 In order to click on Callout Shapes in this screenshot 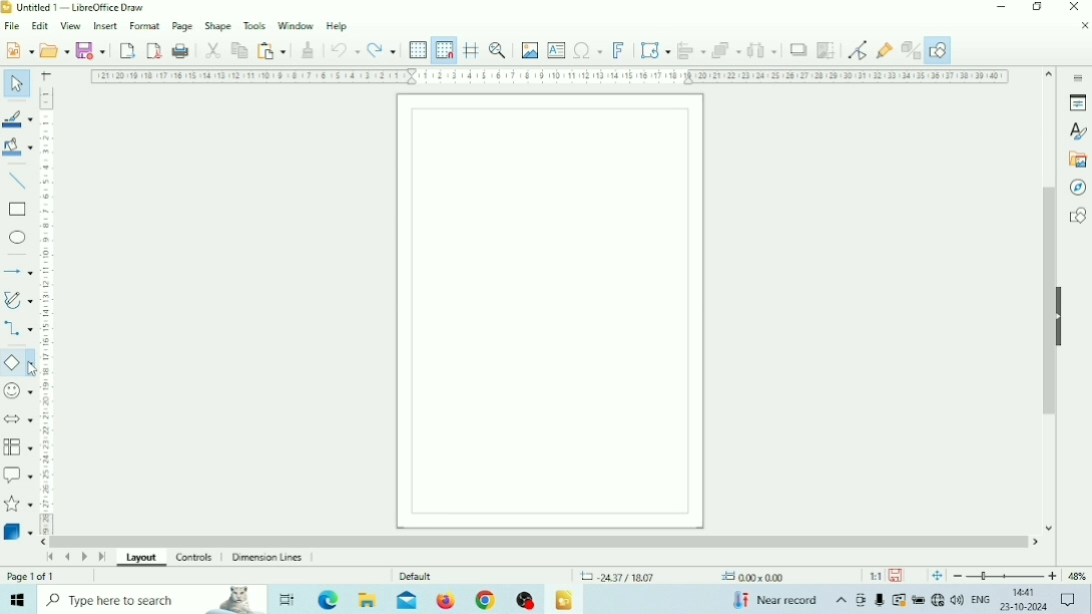, I will do `click(18, 475)`.